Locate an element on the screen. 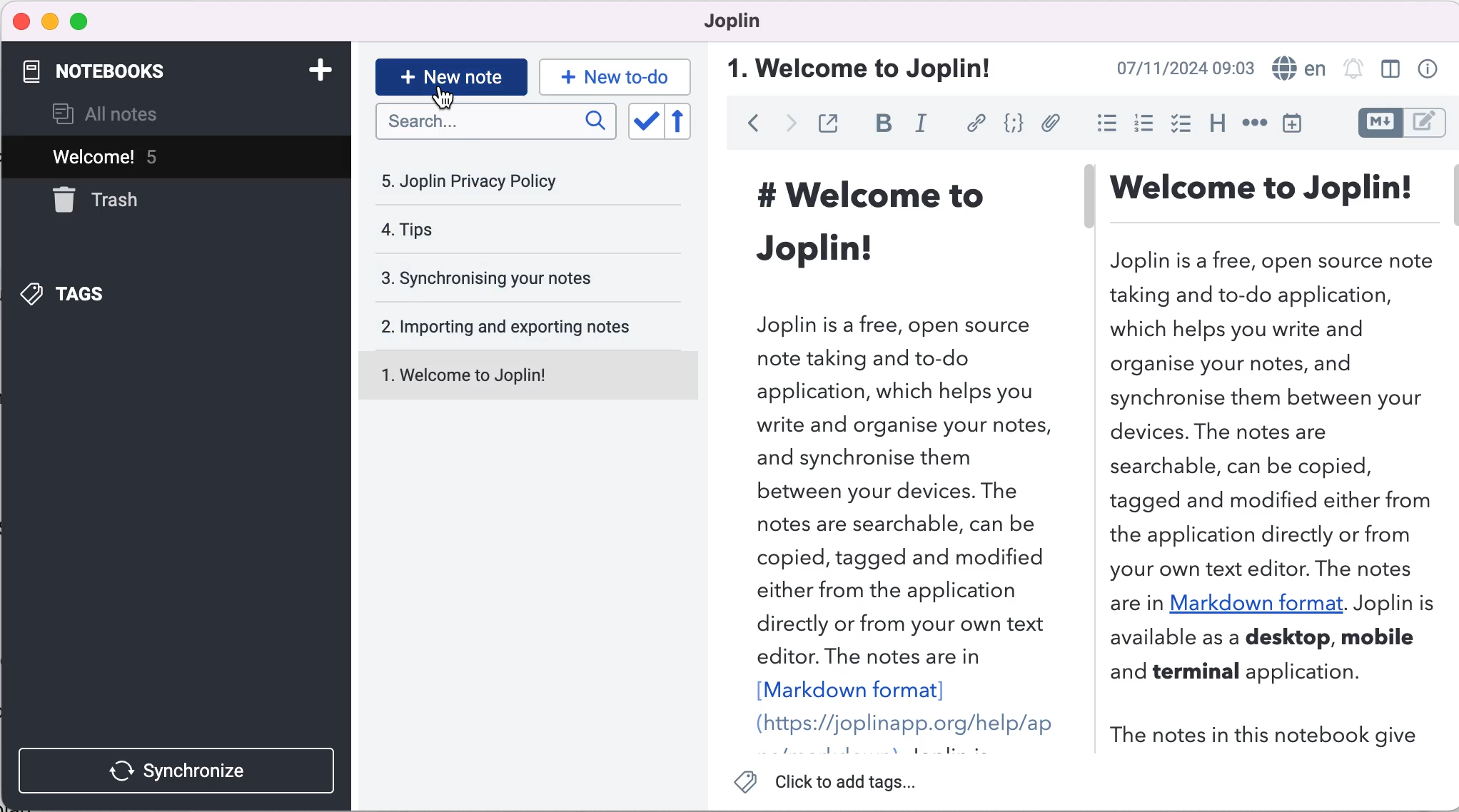 This screenshot has width=1459, height=812. tags is located at coordinates (91, 290).